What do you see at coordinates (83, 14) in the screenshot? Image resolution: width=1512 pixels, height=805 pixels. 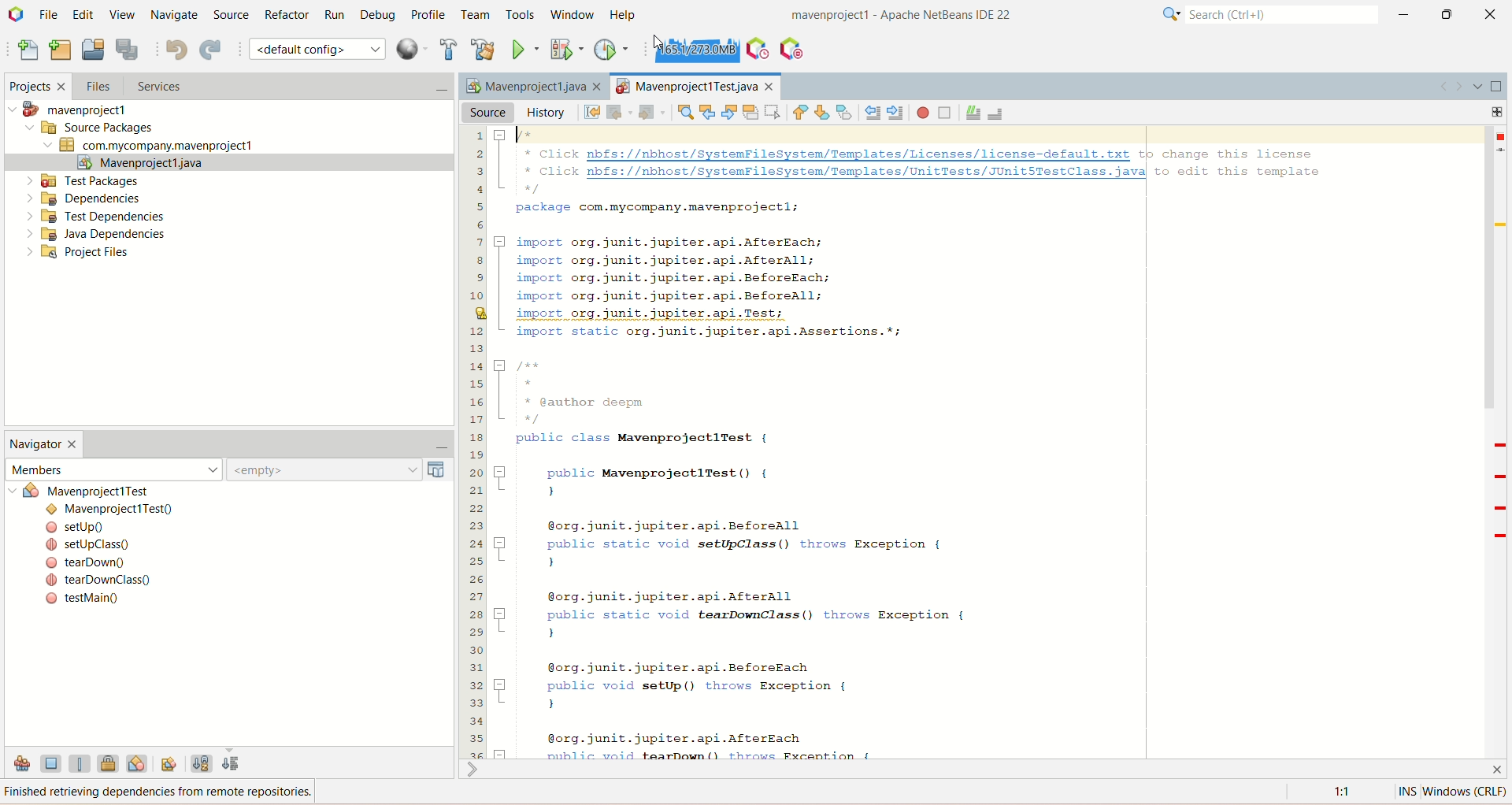 I see `edit` at bounding box center [83, 14].